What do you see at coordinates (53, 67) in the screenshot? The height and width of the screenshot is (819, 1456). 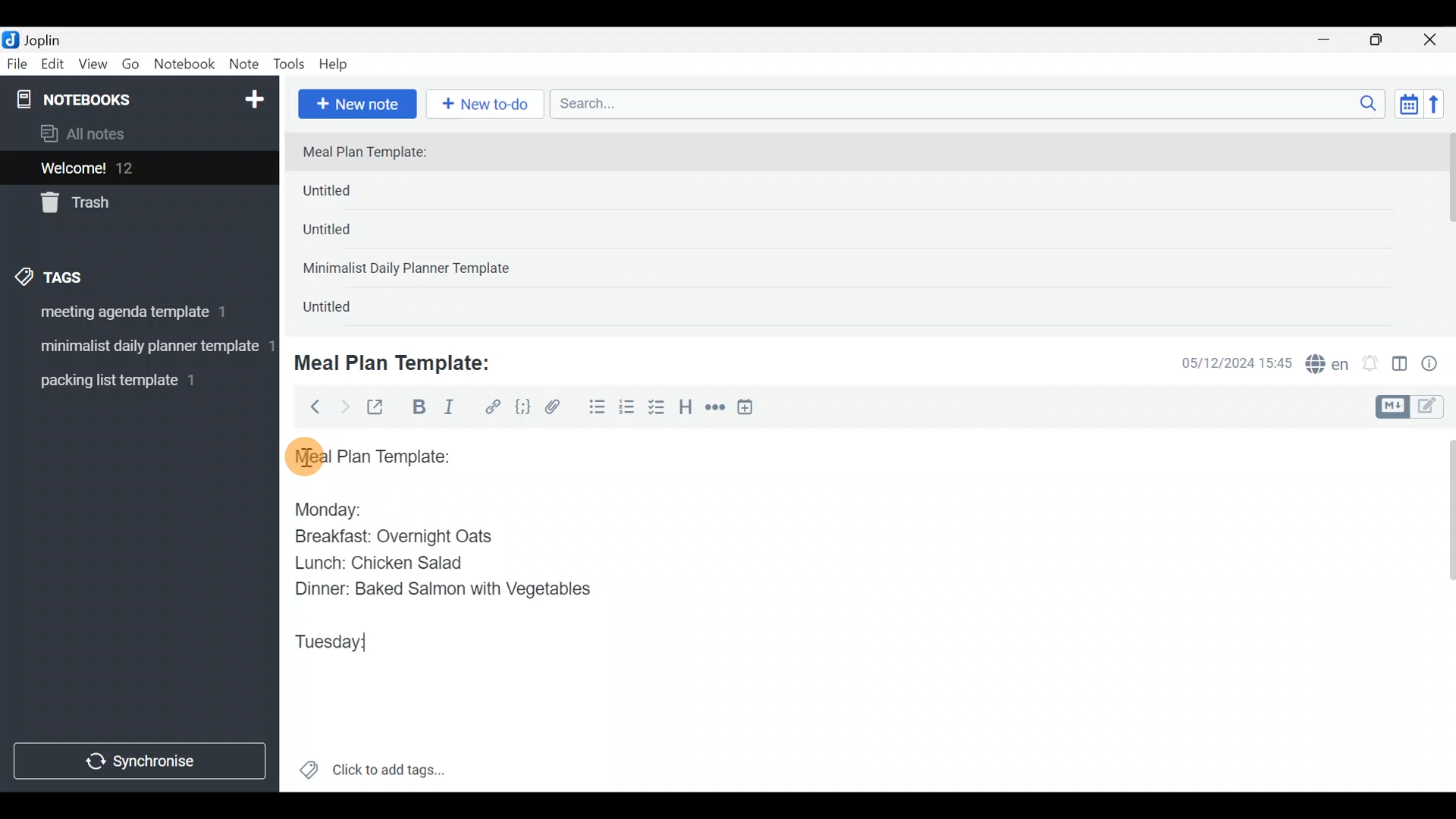 I see `Edit` at bounding box center [53, 67].